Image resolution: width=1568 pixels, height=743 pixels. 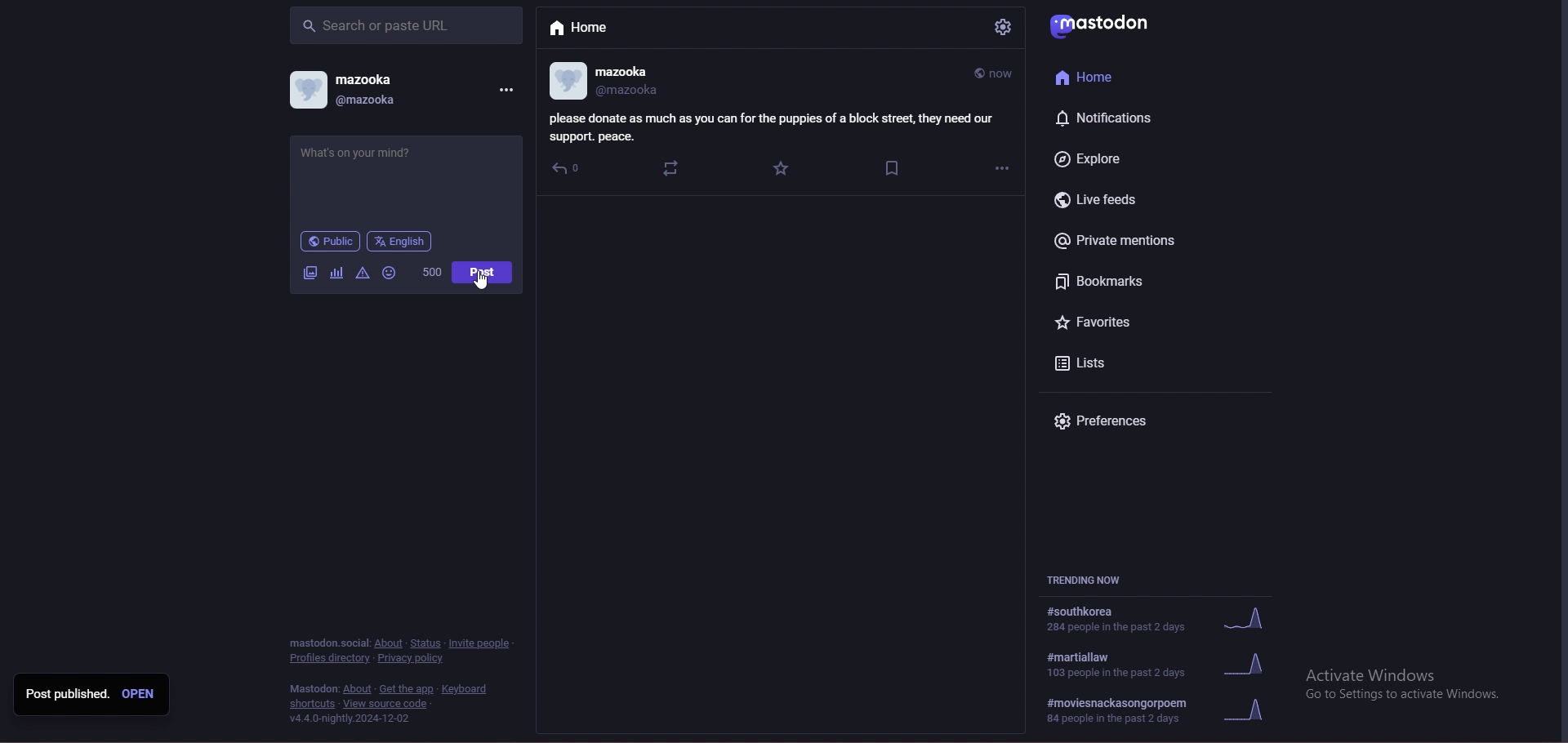 I want to click on home, so click(x=1122, y=78).